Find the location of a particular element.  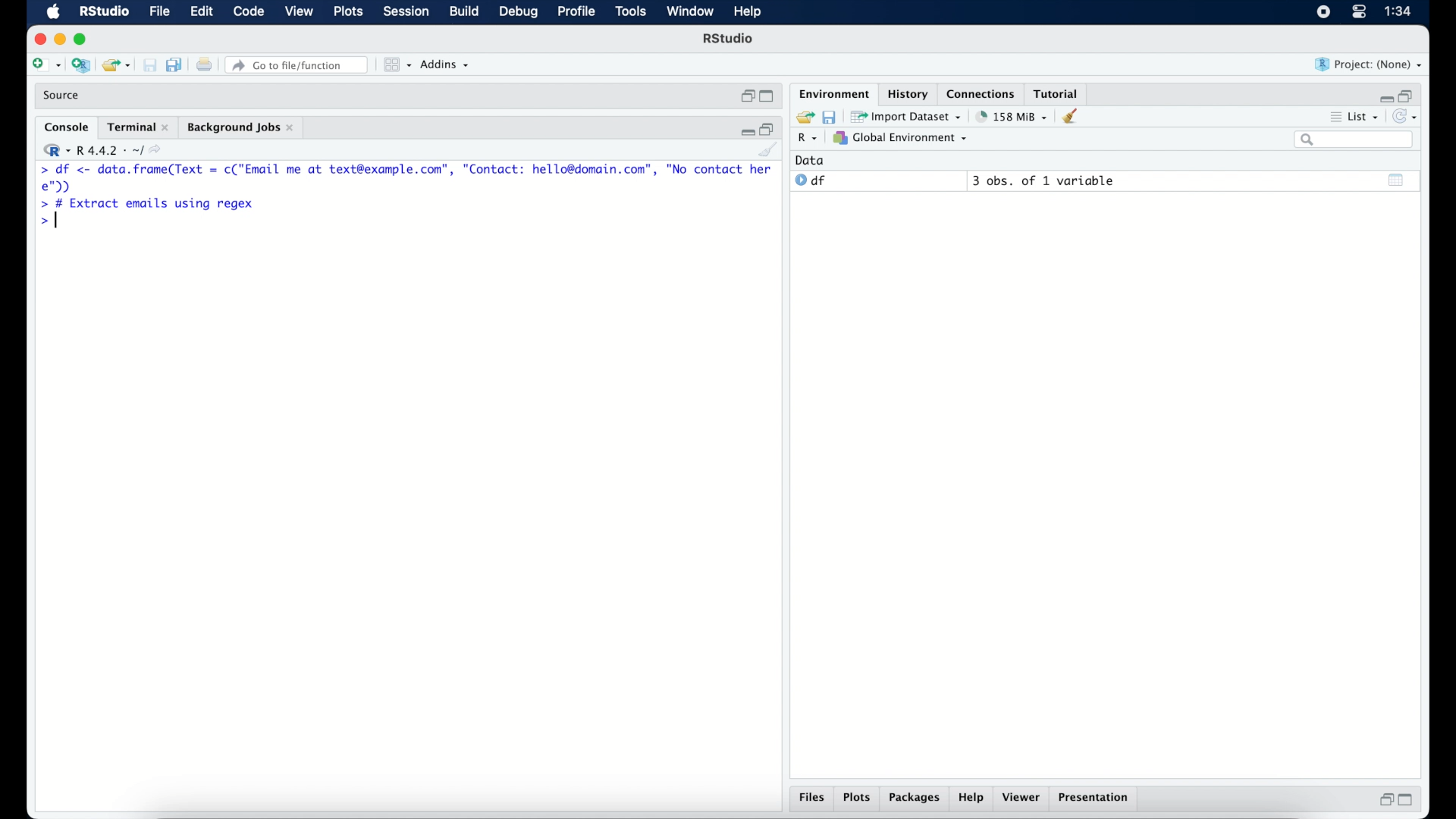

> df <- Se renee = c("Email me at text@example.com”, "Contact: hello@domain.com”, "No contact
here"); is located at coordinates (406, 178).